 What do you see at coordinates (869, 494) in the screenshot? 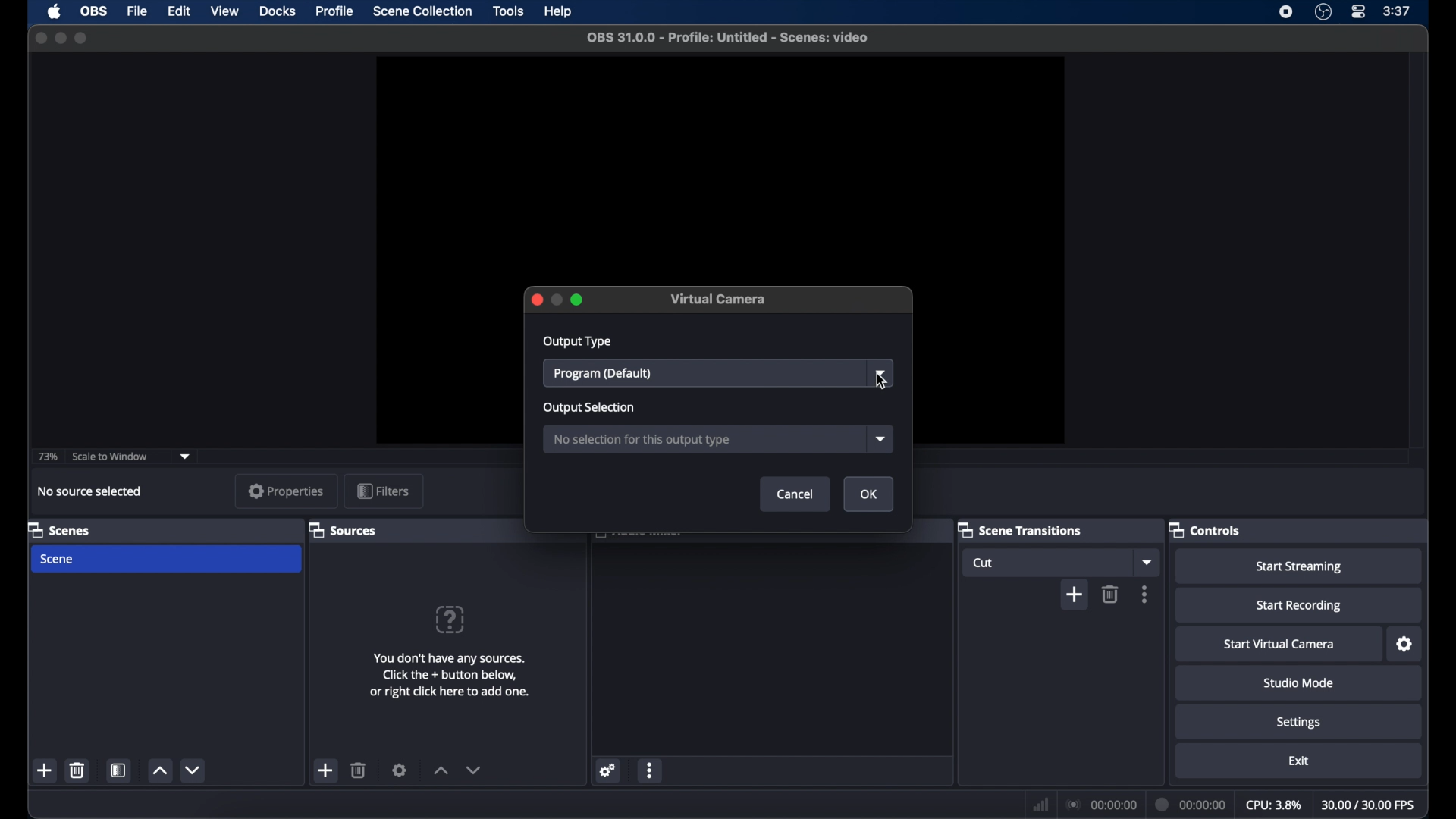
I see `ok` at bounding box center [869, 494].